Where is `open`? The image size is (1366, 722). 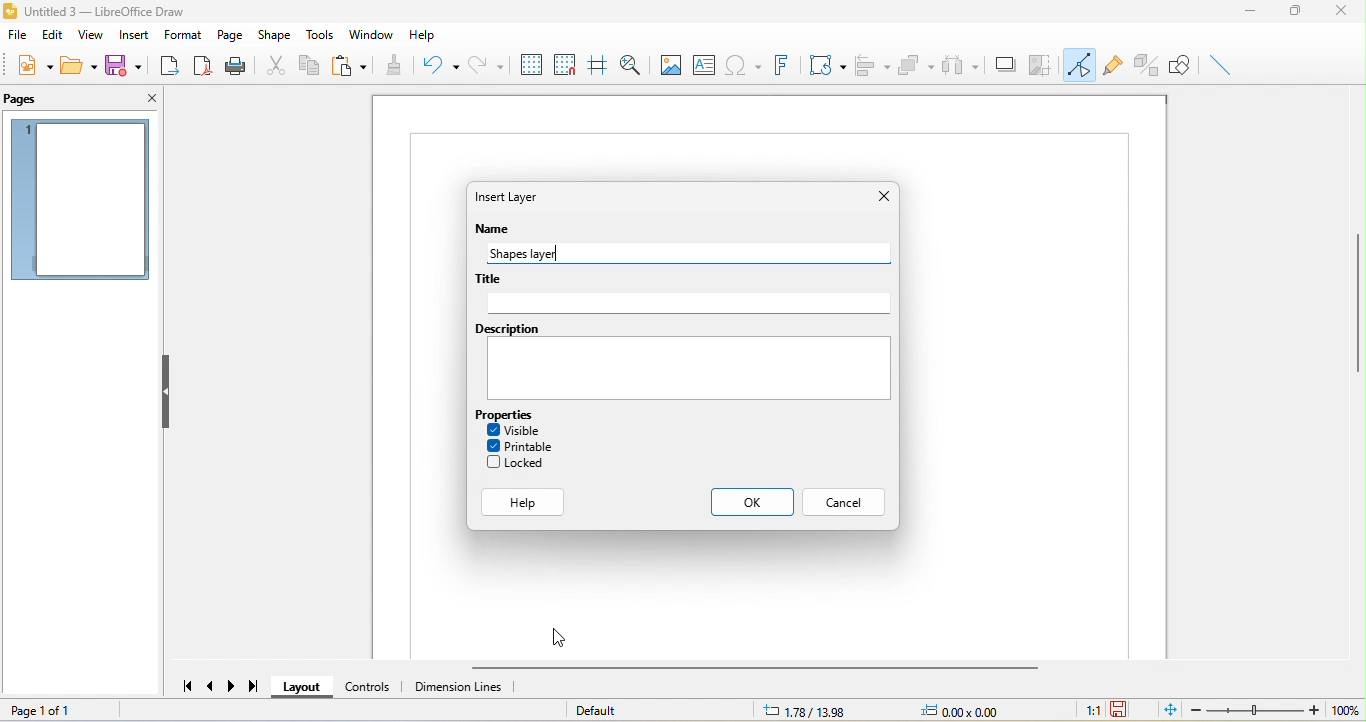
open is located at coordinates (80, 67).